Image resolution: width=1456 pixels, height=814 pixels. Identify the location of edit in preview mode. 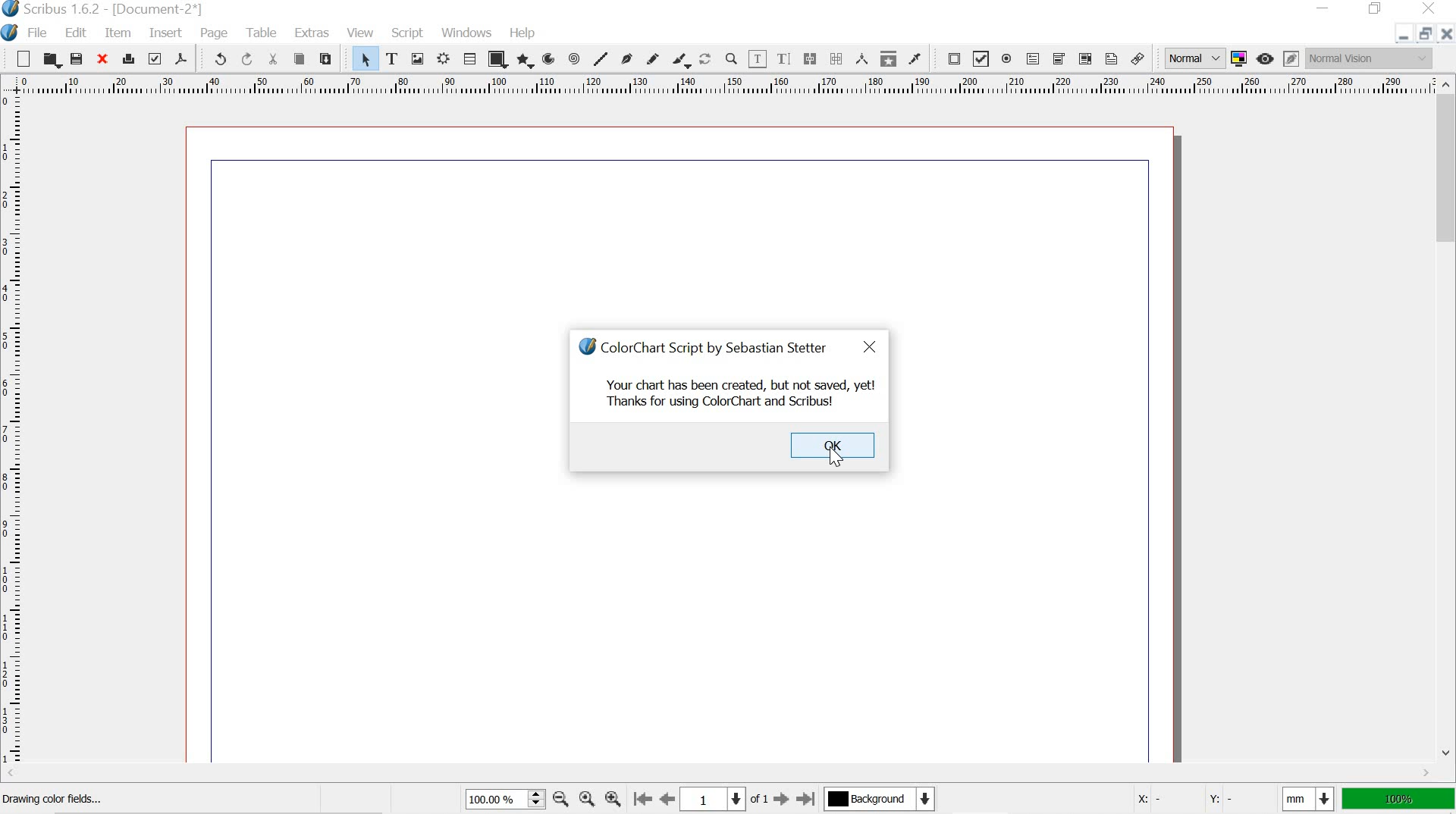
(1291, 58).